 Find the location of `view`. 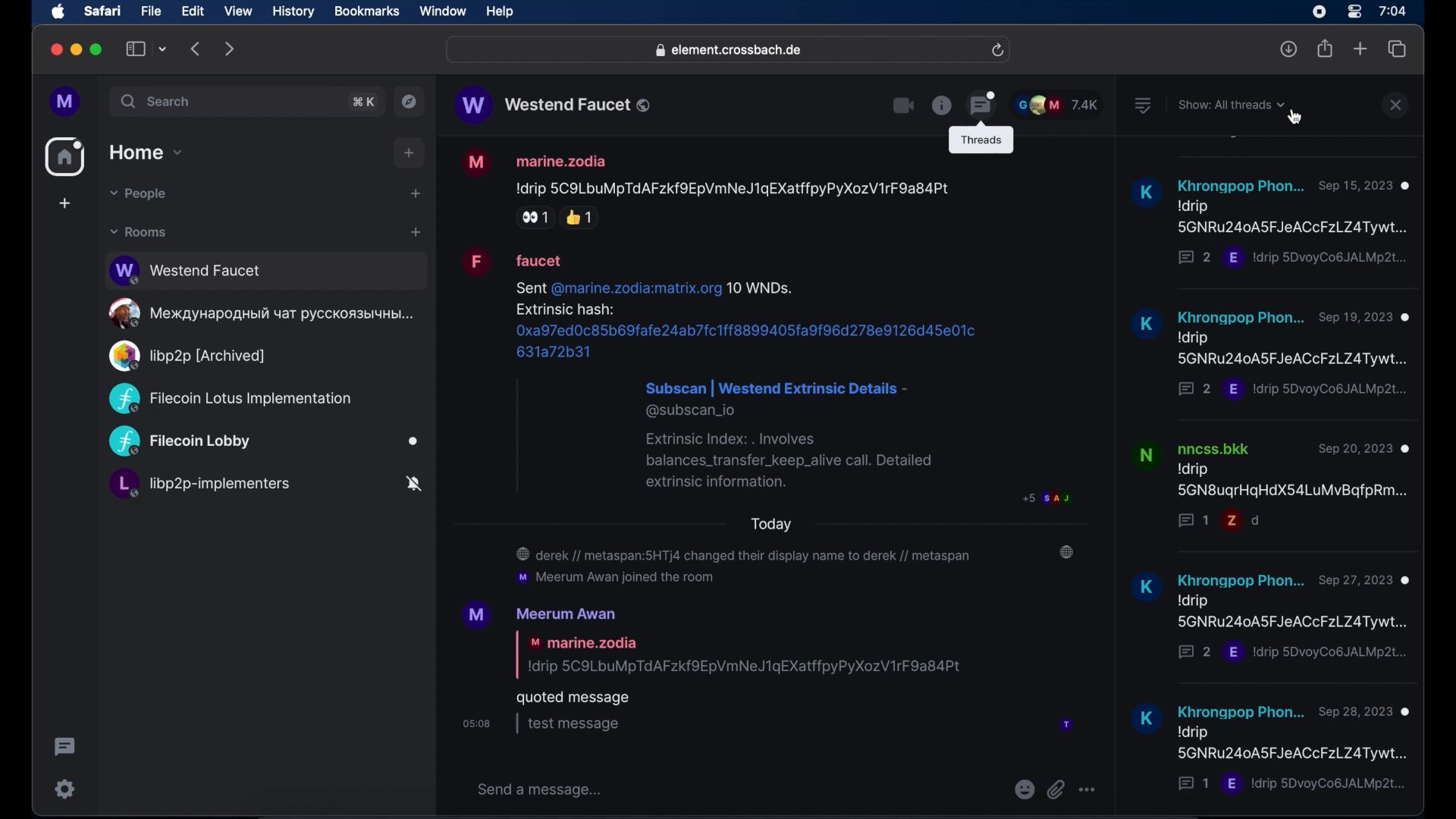

view is located at coordinates (238, 11).